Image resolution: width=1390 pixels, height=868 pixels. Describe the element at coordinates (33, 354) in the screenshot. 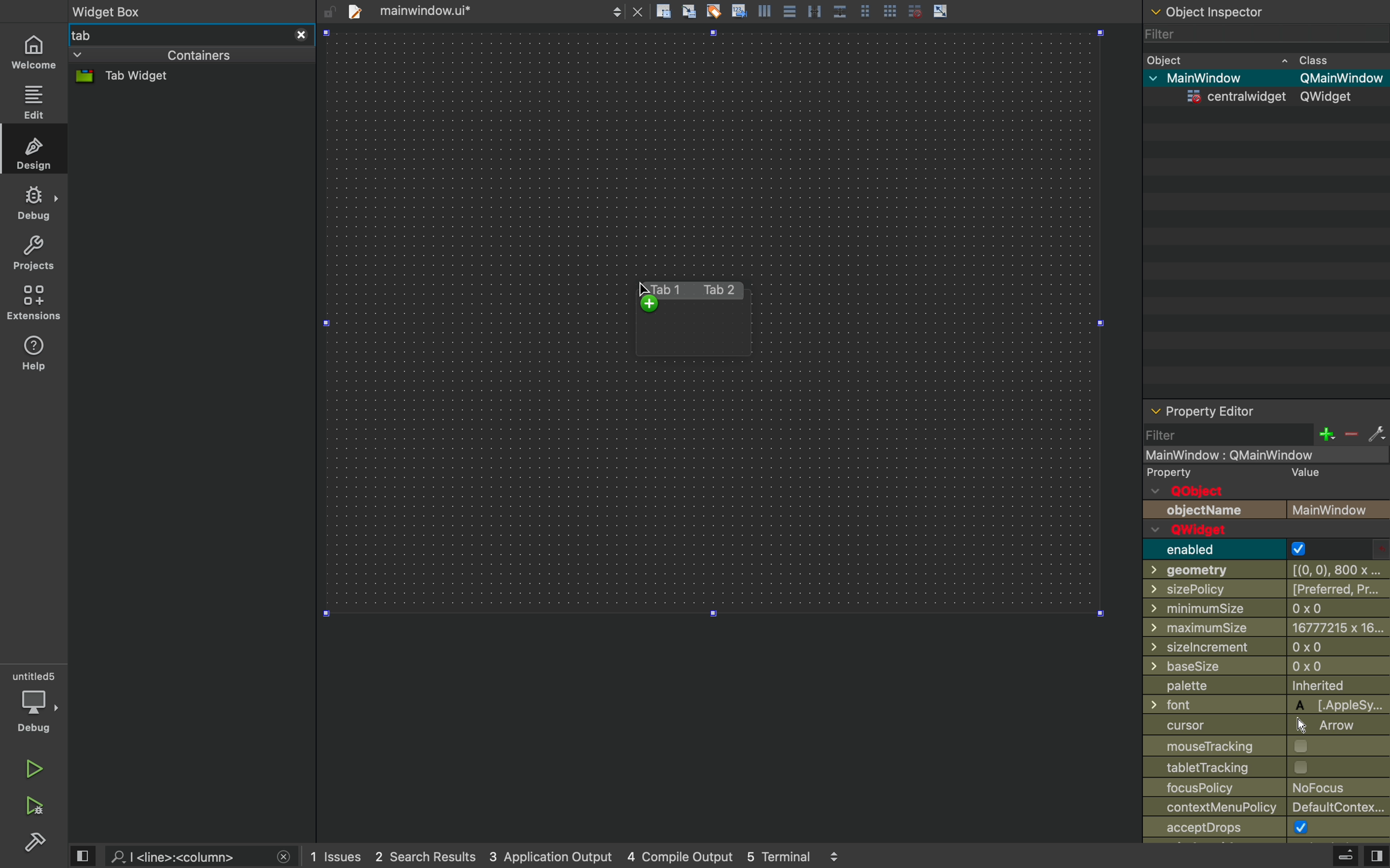

I see `help` at that location.